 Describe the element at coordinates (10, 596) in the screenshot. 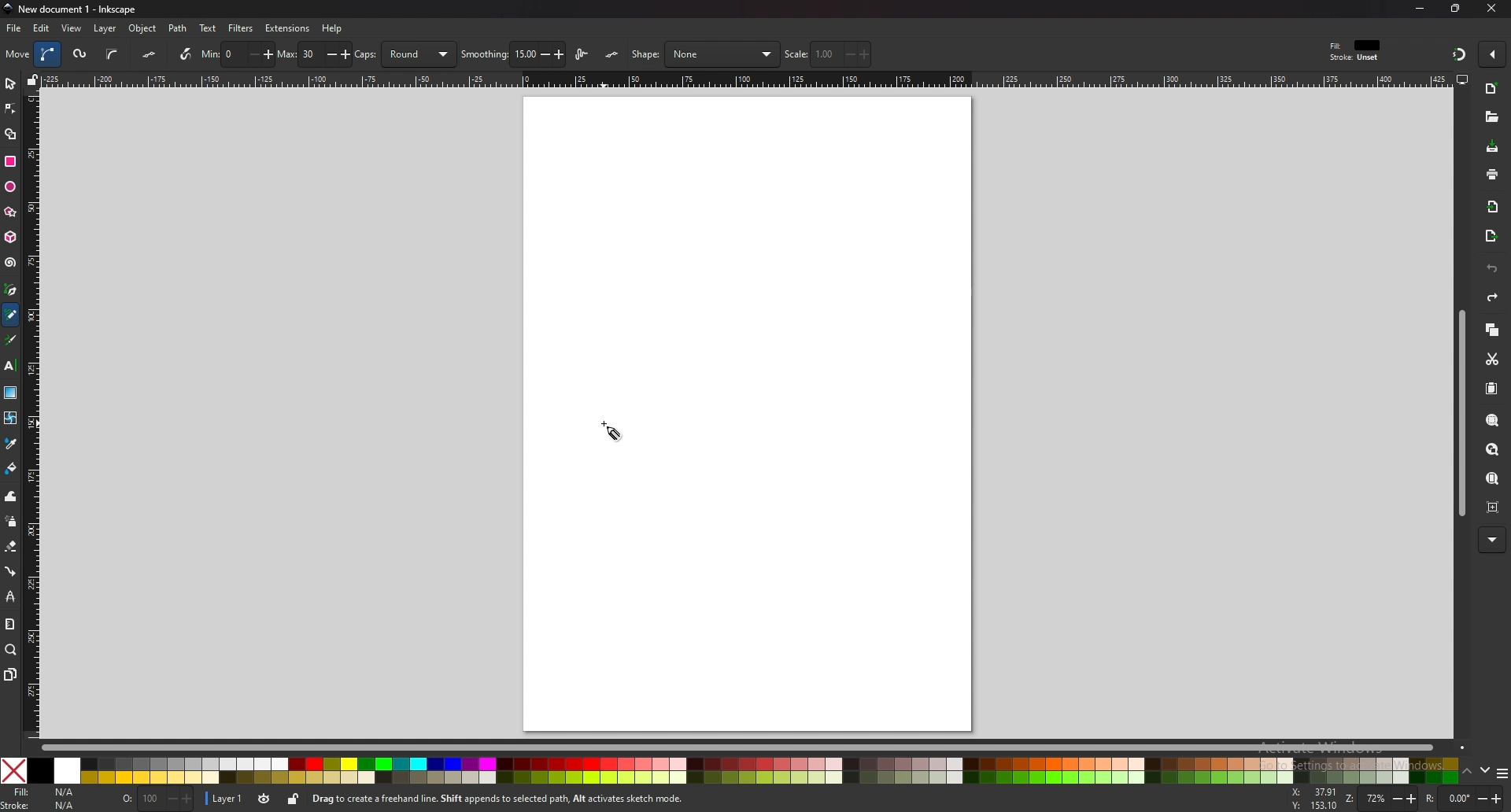

I see `lpe` at that location.